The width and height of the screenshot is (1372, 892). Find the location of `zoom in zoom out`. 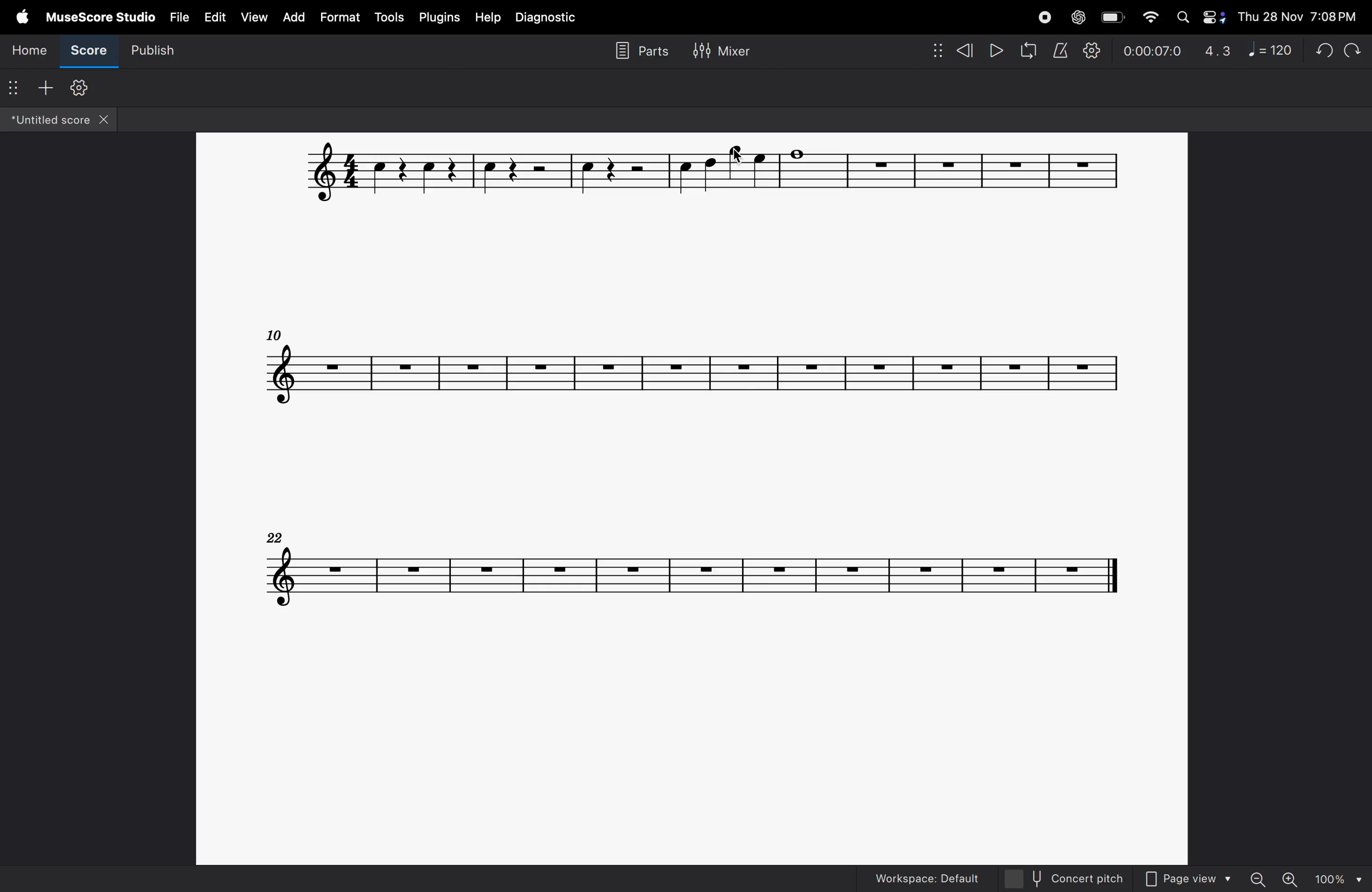

zoom in zoom out is located at coordinates (1273, 878).